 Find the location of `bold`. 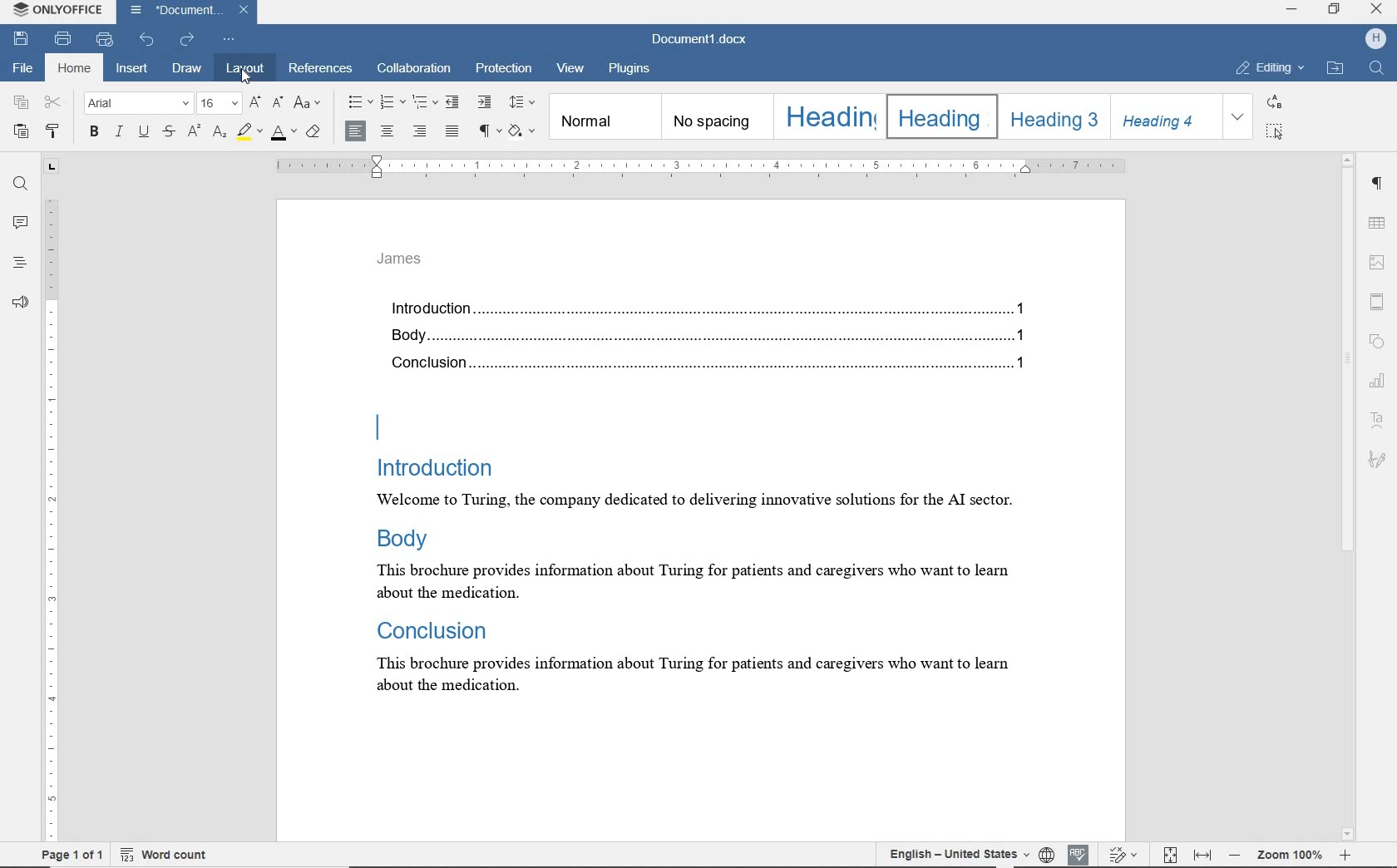

bold is located at coordinates (96, 133).